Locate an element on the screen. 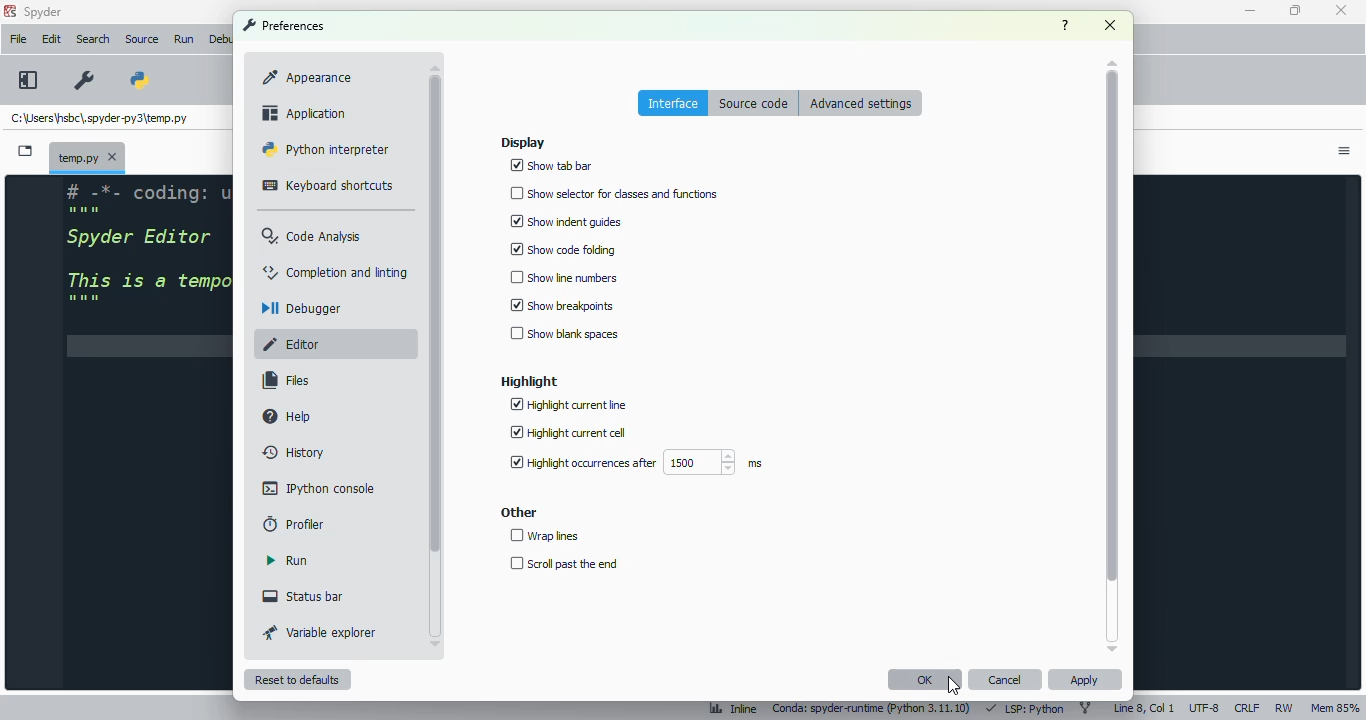  show tab bar is located at coordinates (551, 166).